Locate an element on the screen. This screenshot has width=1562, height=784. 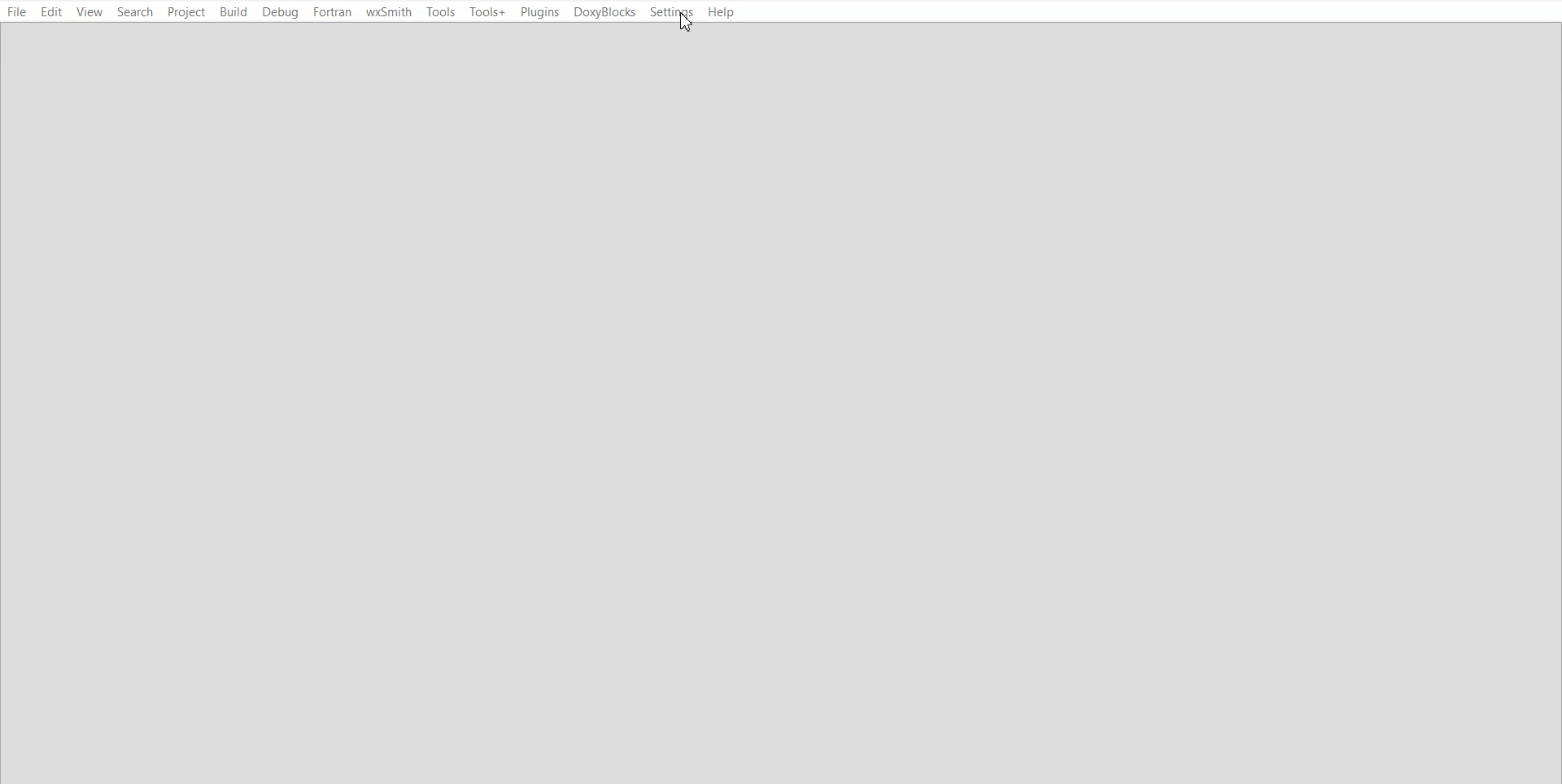
cursor is located at coordinates (683, 24).